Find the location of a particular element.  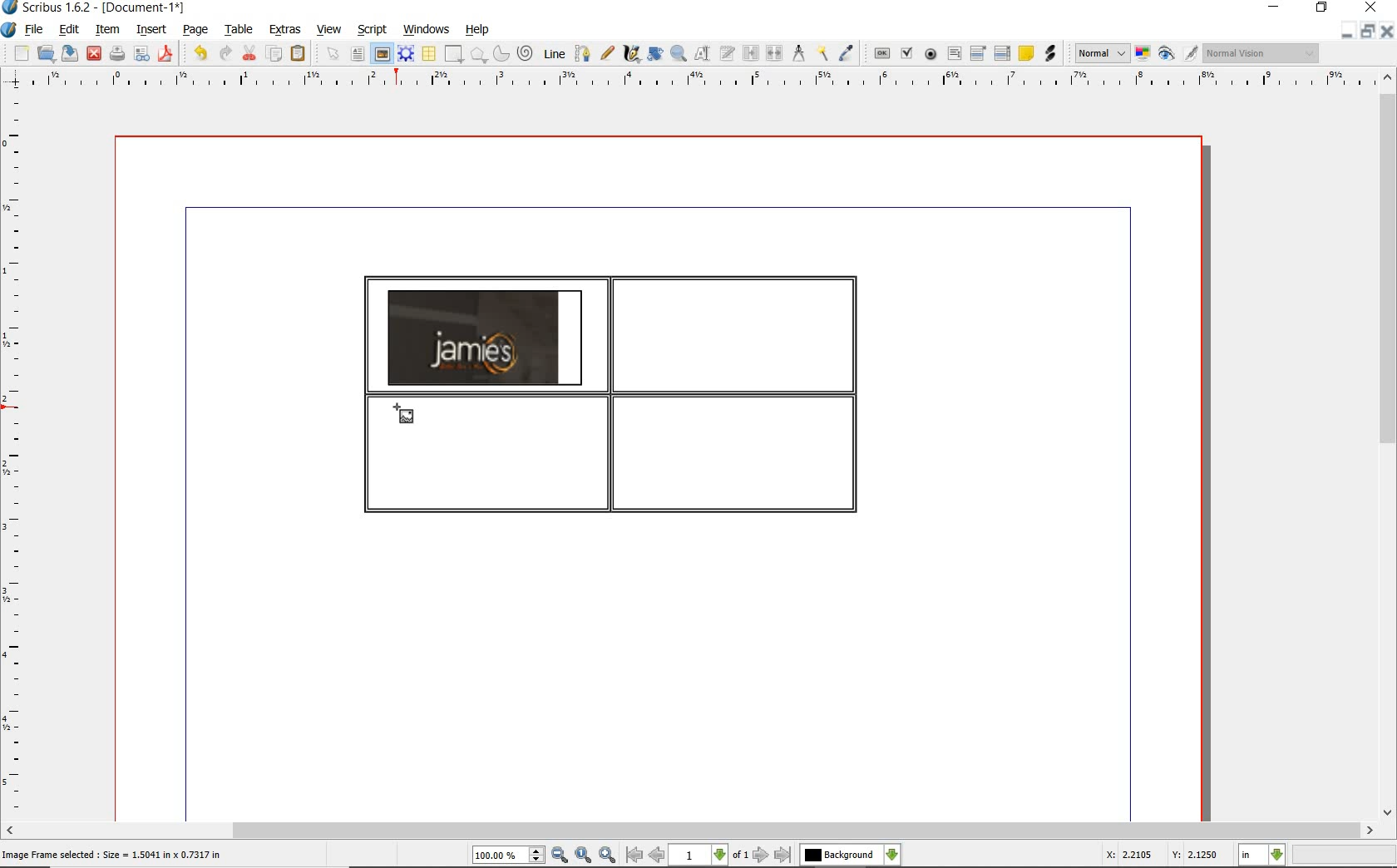

file is located at coordinates (35, 31).